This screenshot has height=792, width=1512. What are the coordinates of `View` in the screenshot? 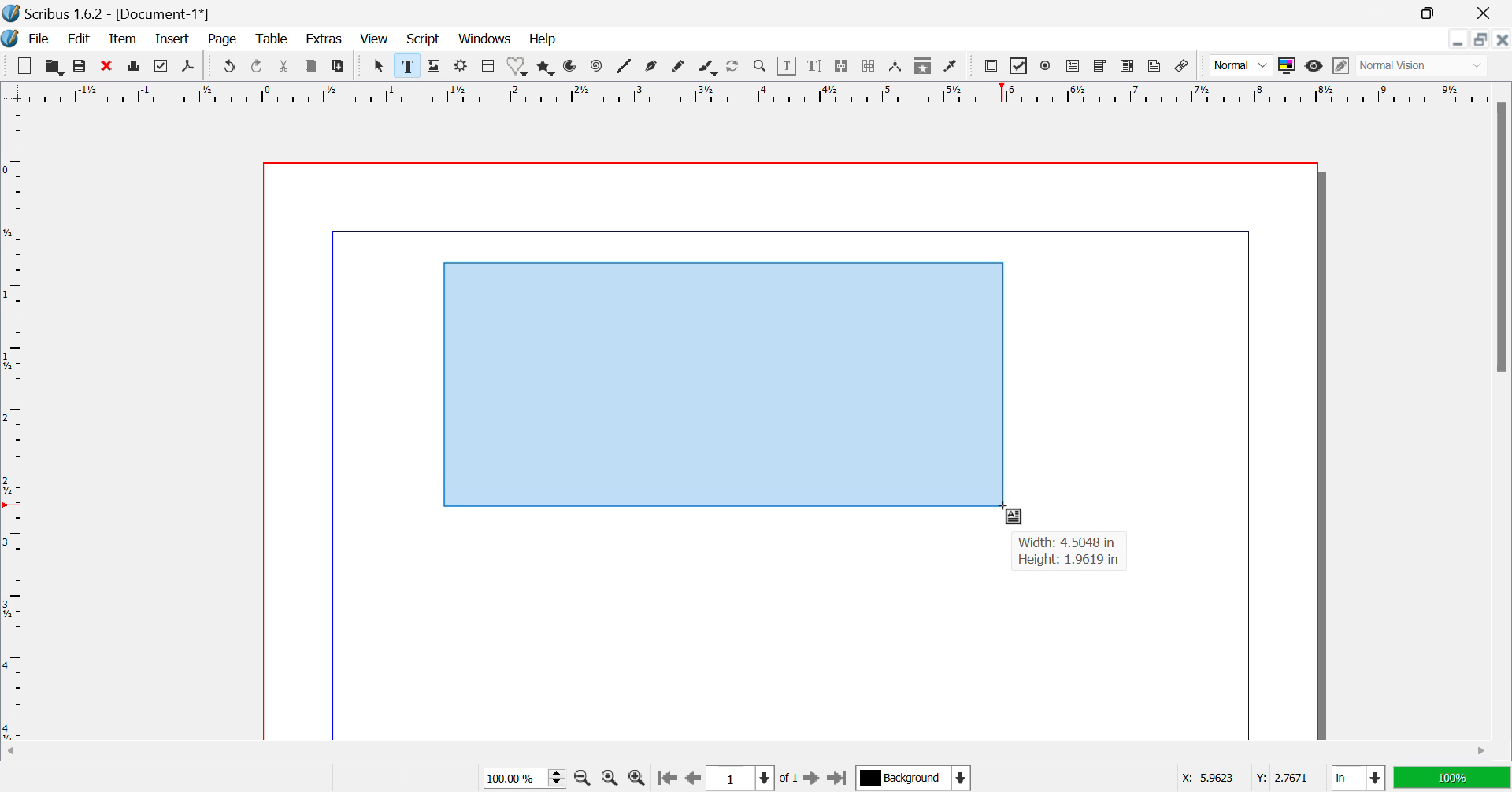 It's located at (375, 40).